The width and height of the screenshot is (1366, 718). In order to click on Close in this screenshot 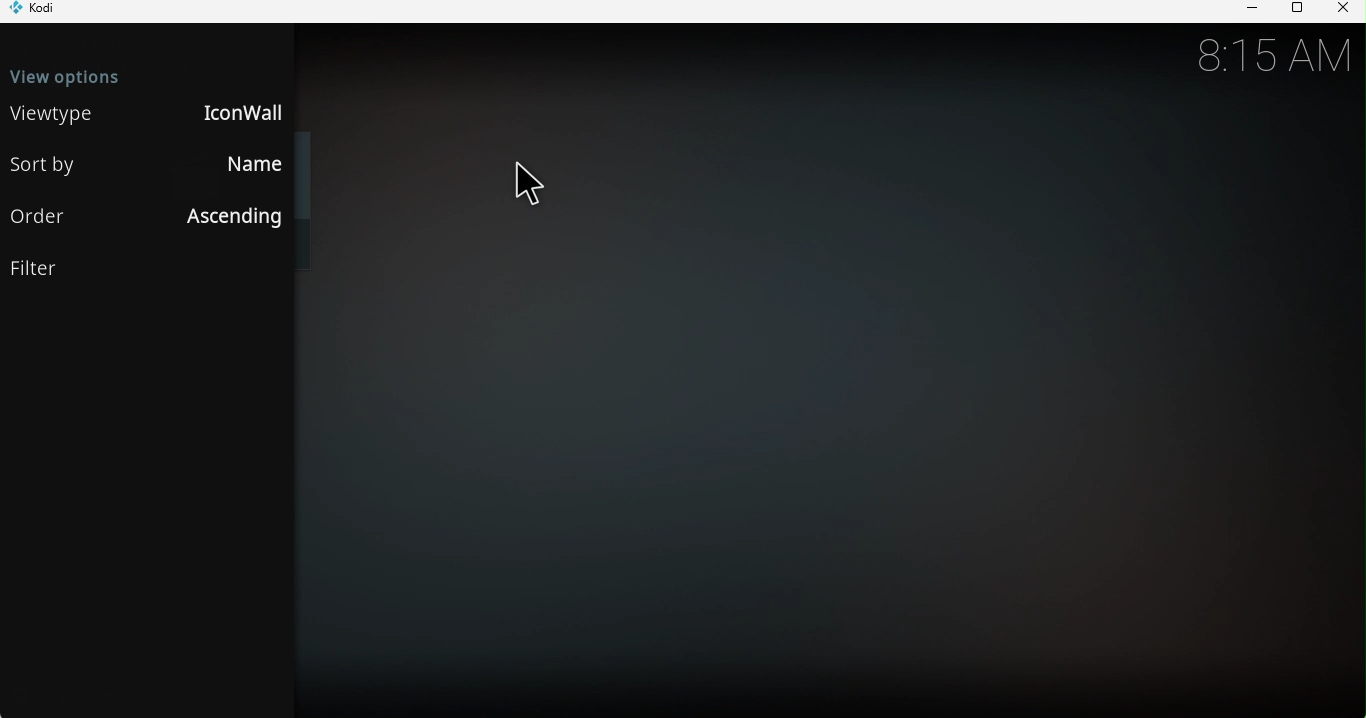, I will do `click(1342, 10)`.